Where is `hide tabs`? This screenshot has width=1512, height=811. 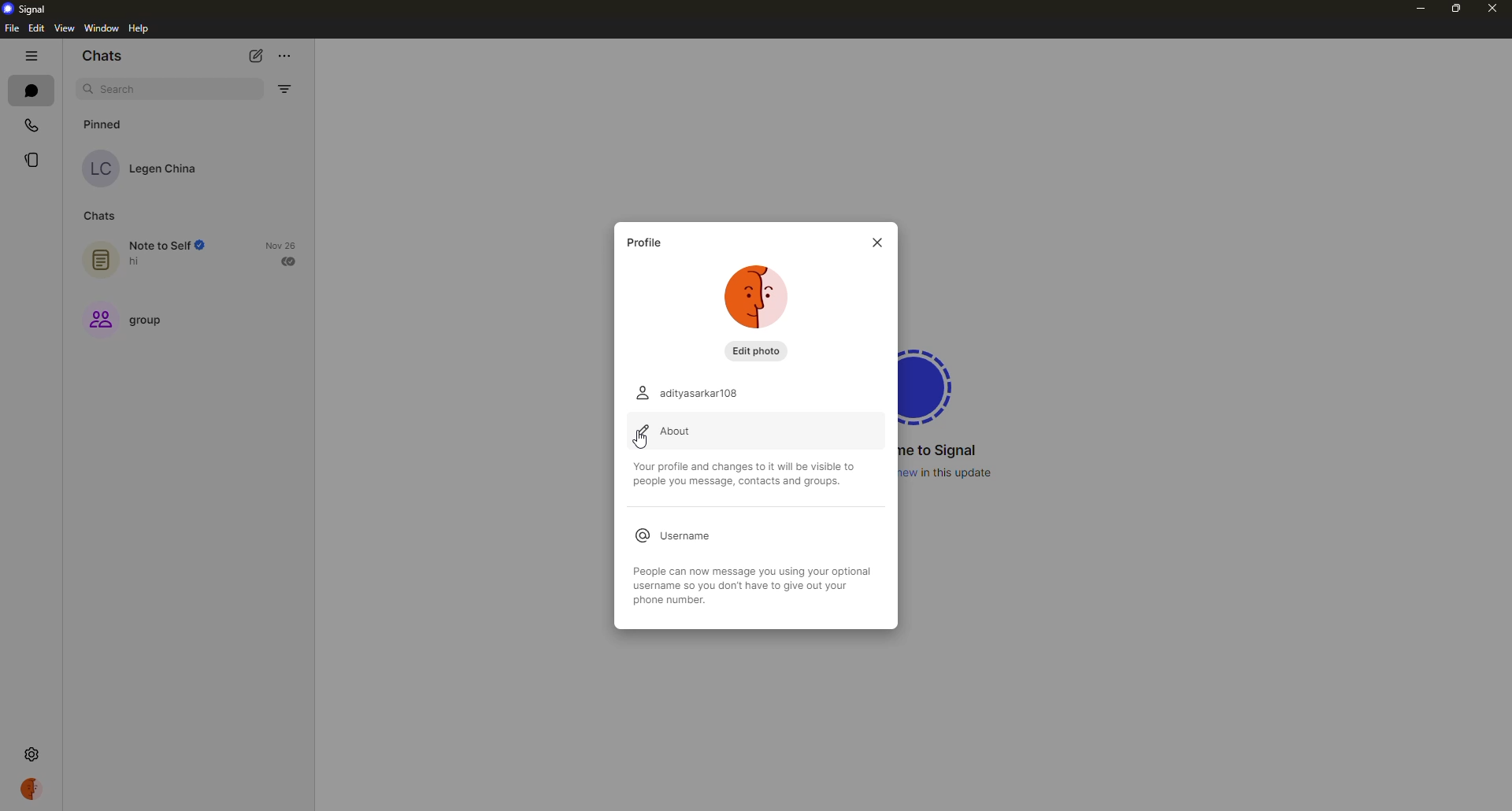
hide tabs is located at coordinates (31, 55).